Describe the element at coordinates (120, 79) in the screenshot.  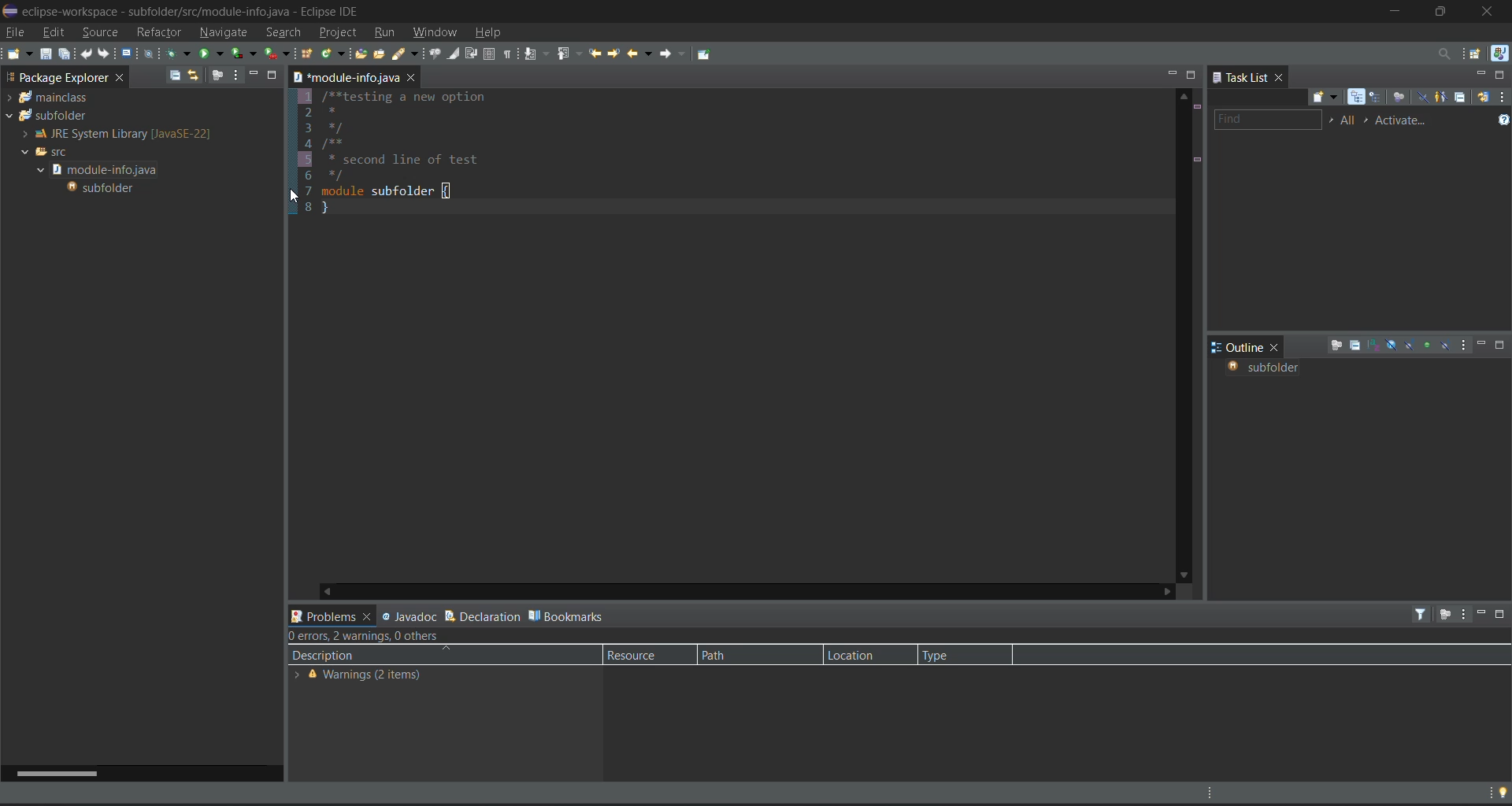
I see `close` at that location.